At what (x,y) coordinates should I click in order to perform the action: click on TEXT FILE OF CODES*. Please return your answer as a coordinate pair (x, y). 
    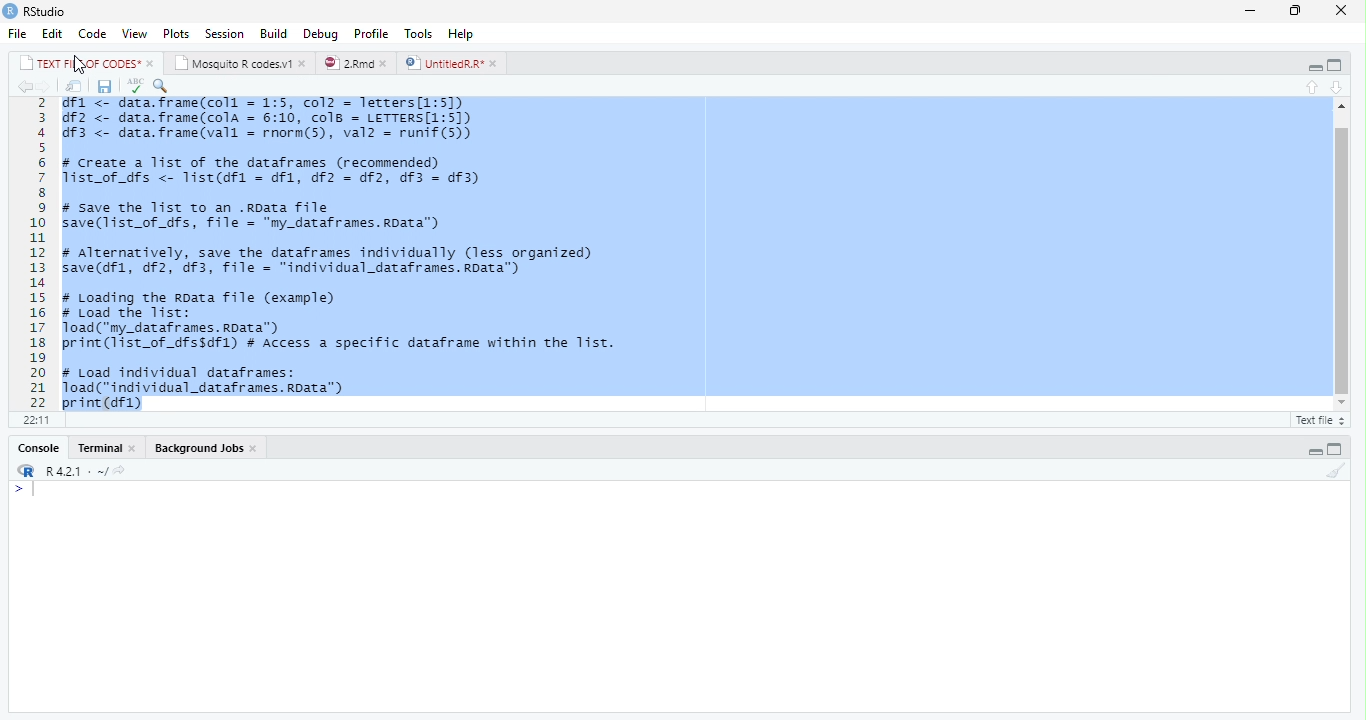
    Looking at the image, I should click on (84, 62).